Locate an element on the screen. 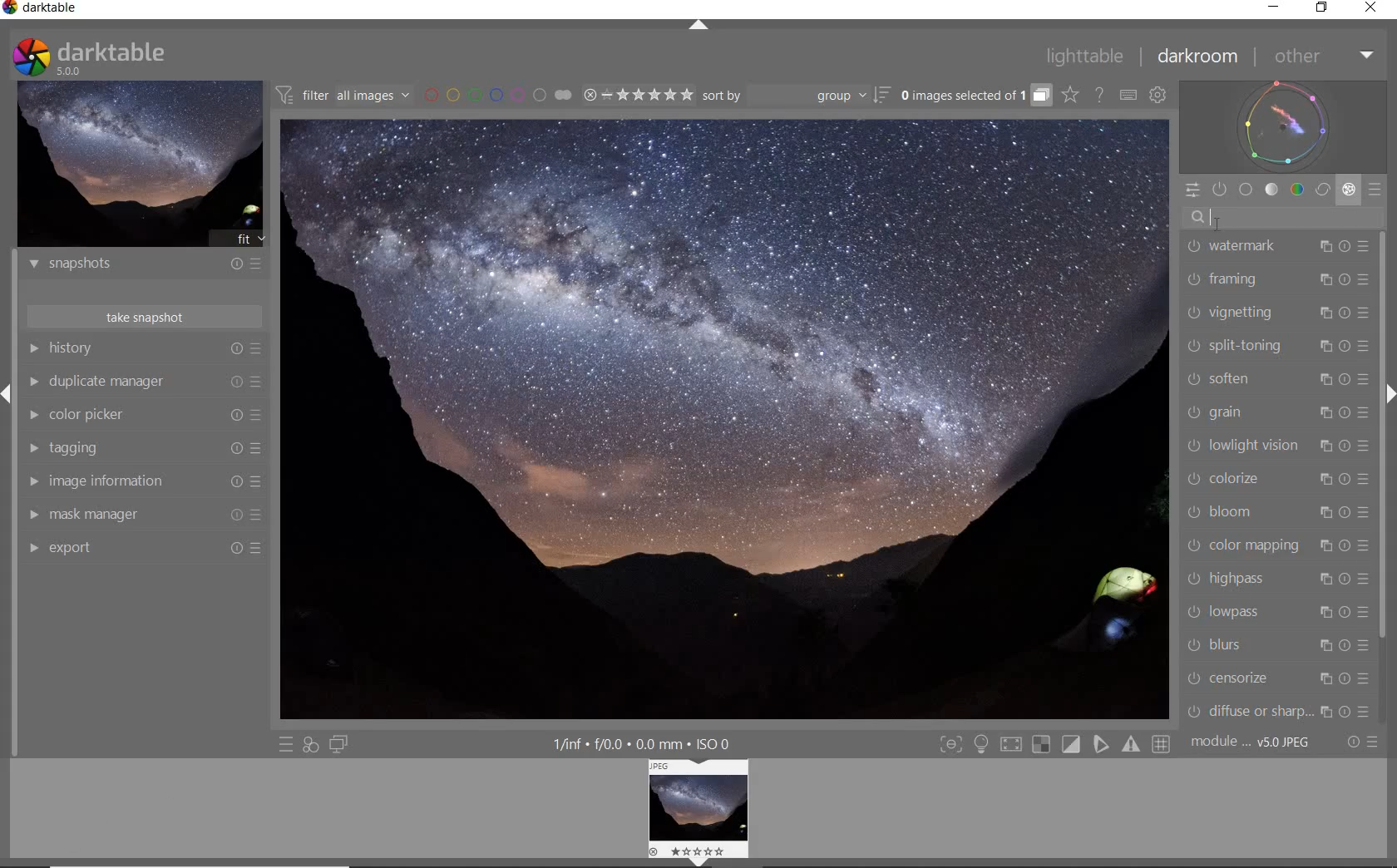 Image resolution: width=1397 pixels, height=868 pixels. reset is located at coordinates (234, 378).